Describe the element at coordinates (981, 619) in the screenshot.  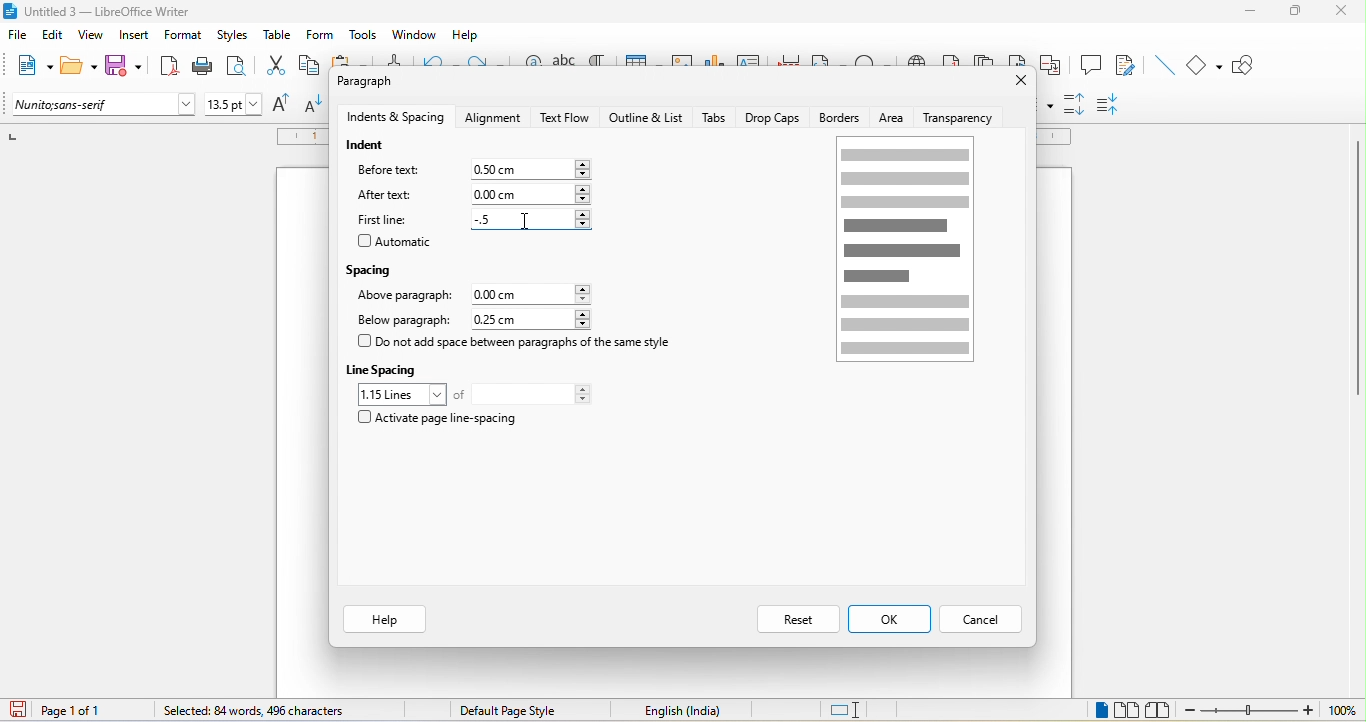
I see `cancel` at that location.